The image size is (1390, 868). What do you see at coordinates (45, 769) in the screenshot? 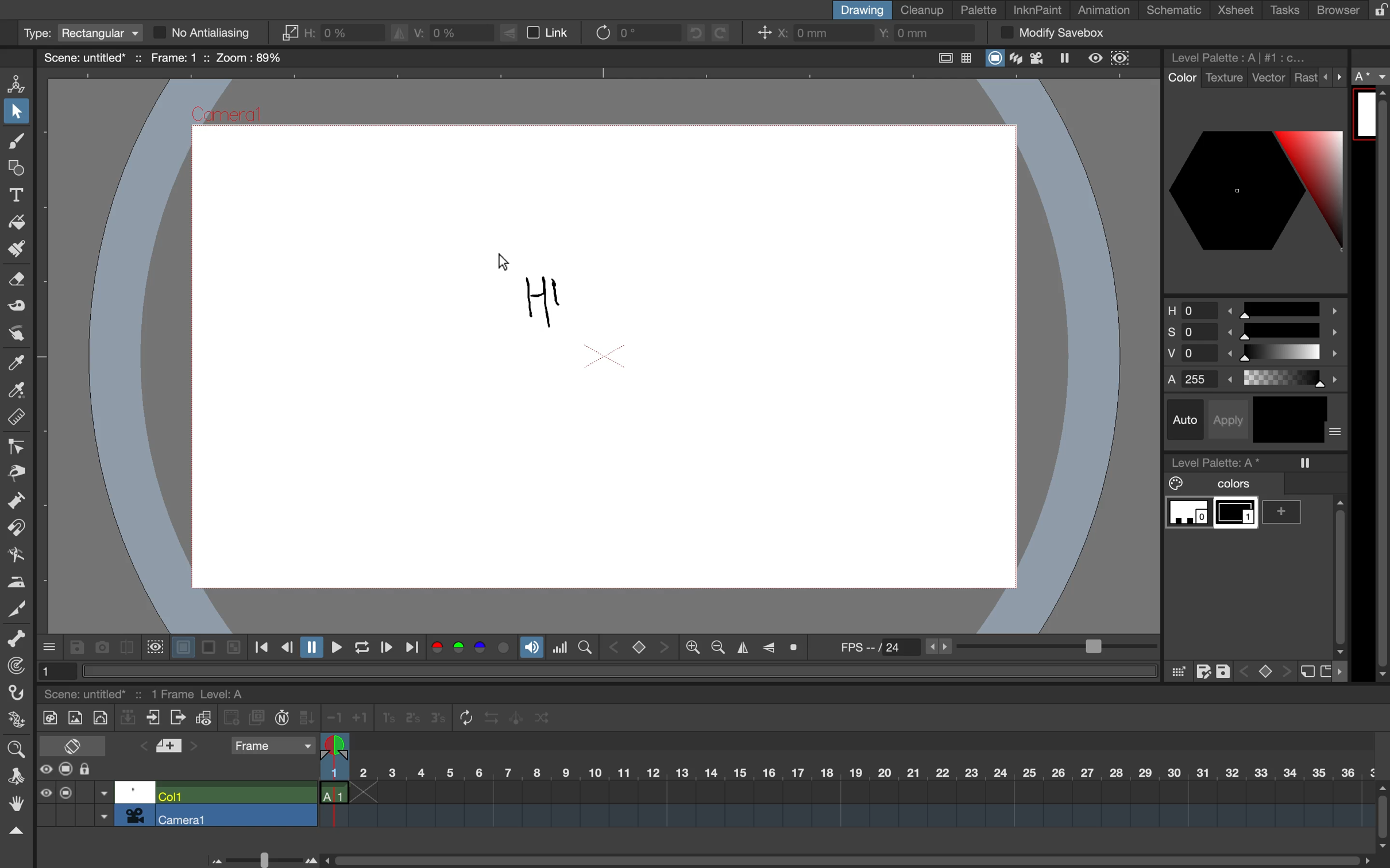
I see `preview visibility toggle all` at bounding box center [45, 769].